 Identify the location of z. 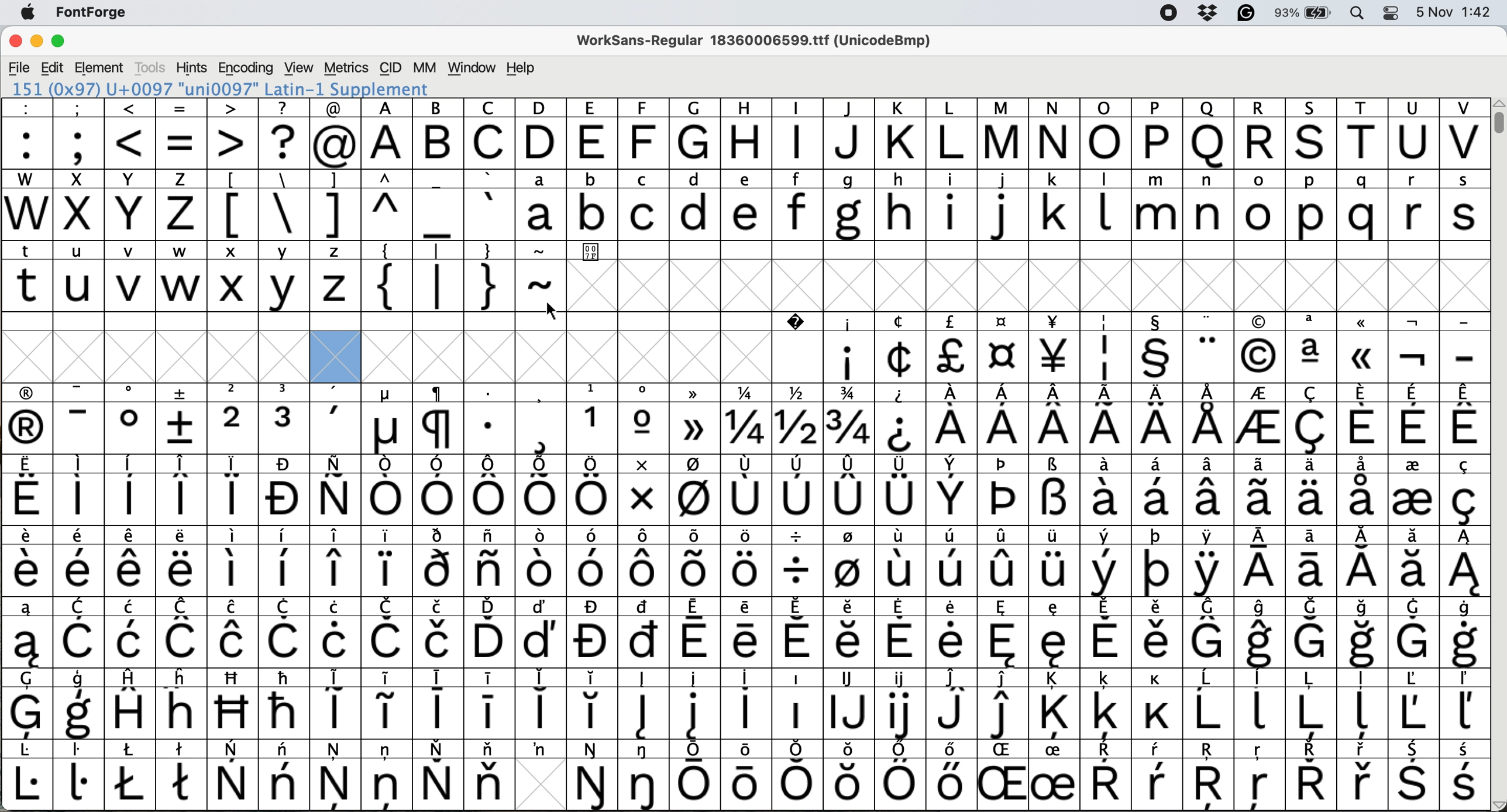
(181, 204).